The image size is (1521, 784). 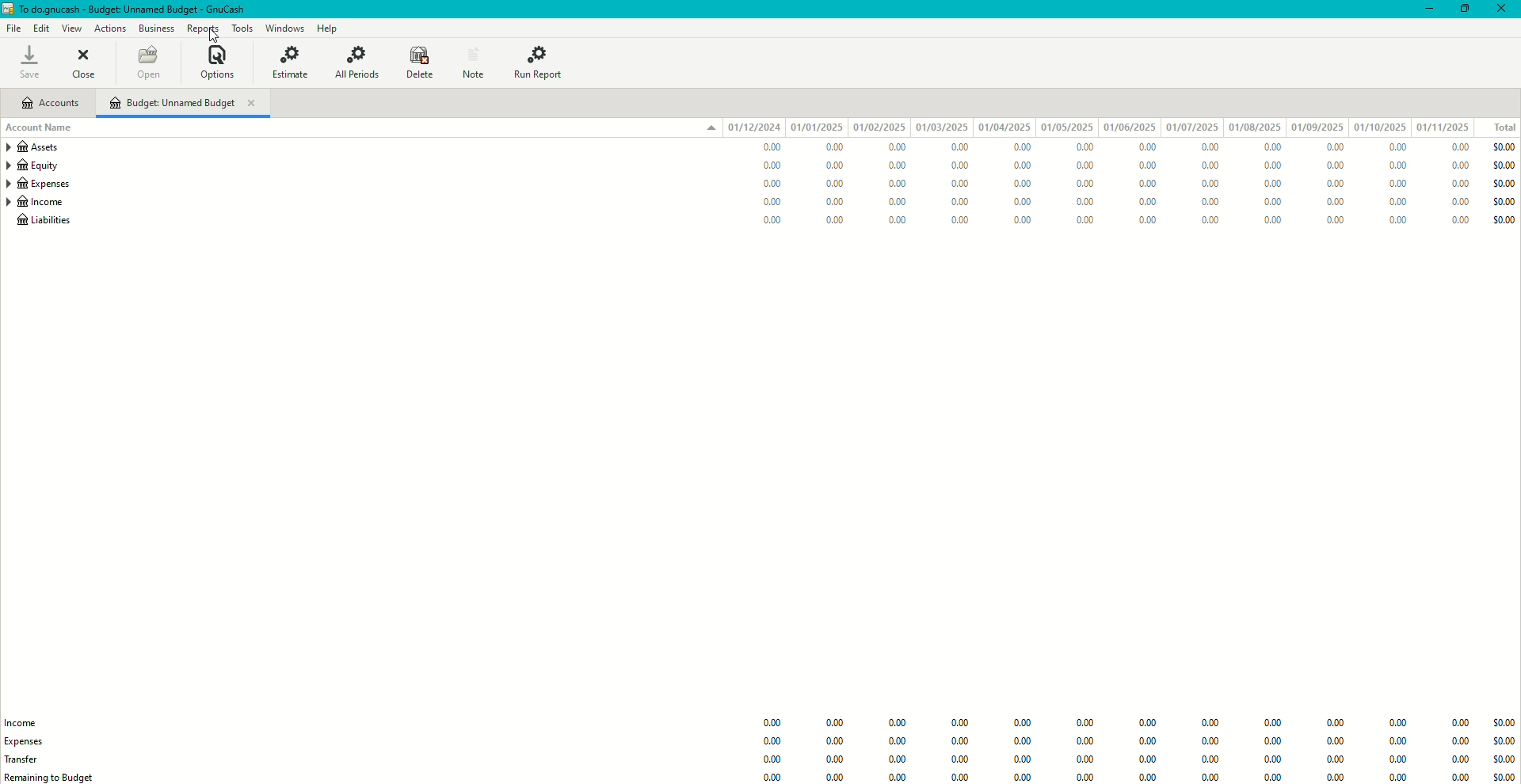 I want to click on , so click(x=1082, y=725).